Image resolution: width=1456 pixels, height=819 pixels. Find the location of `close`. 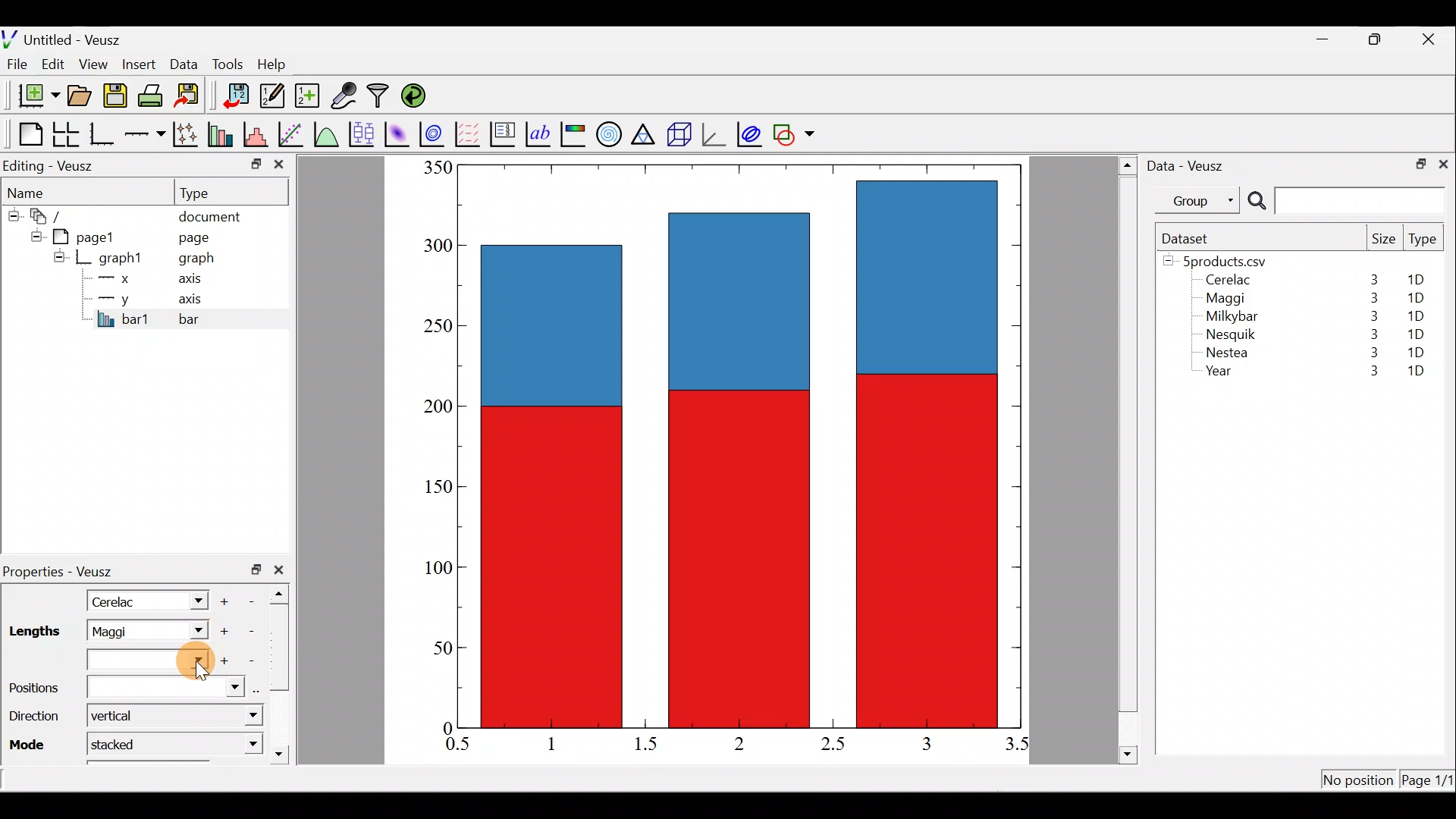

close is located at coordinates (279, 168).